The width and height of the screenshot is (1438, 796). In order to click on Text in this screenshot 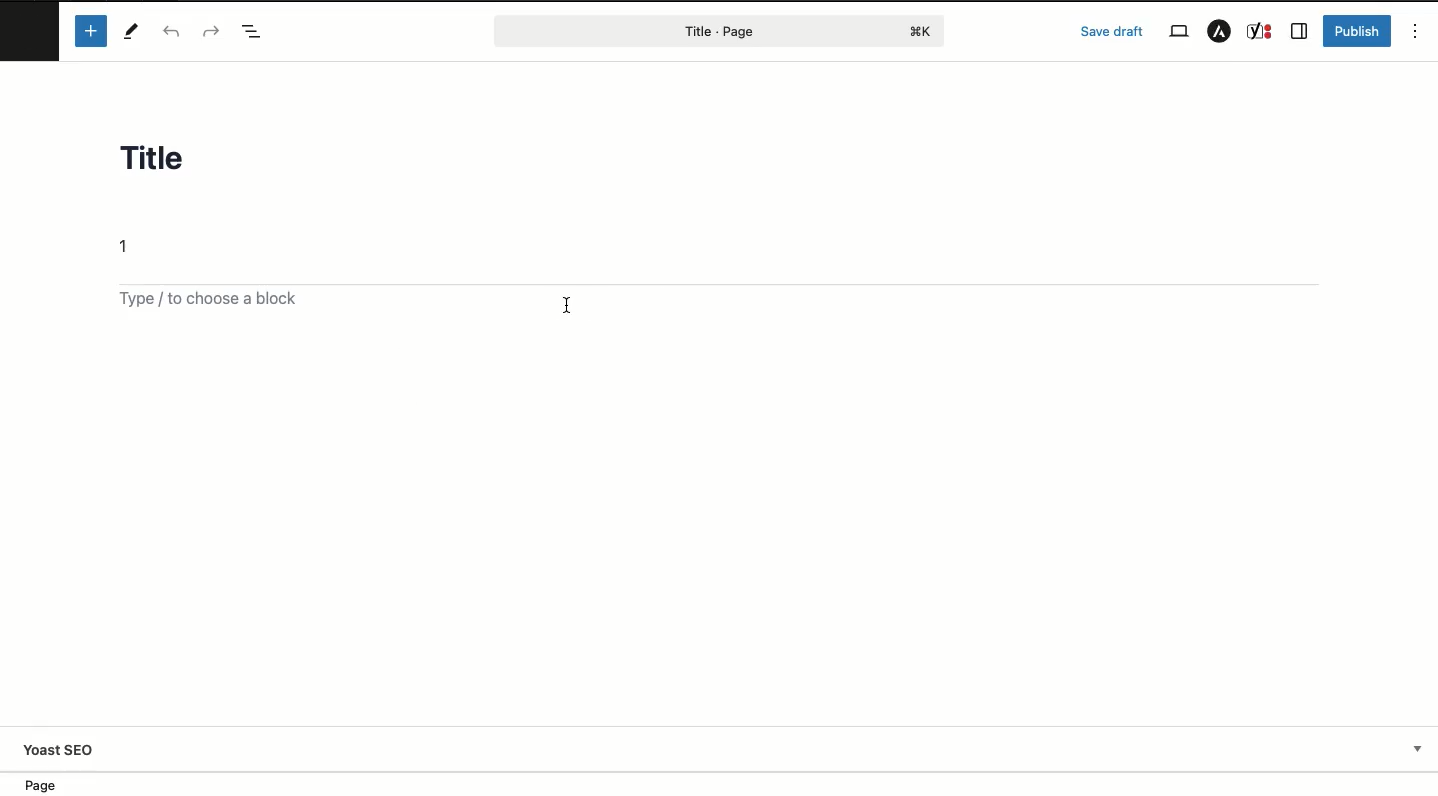, I will do `click(131, 247)`.